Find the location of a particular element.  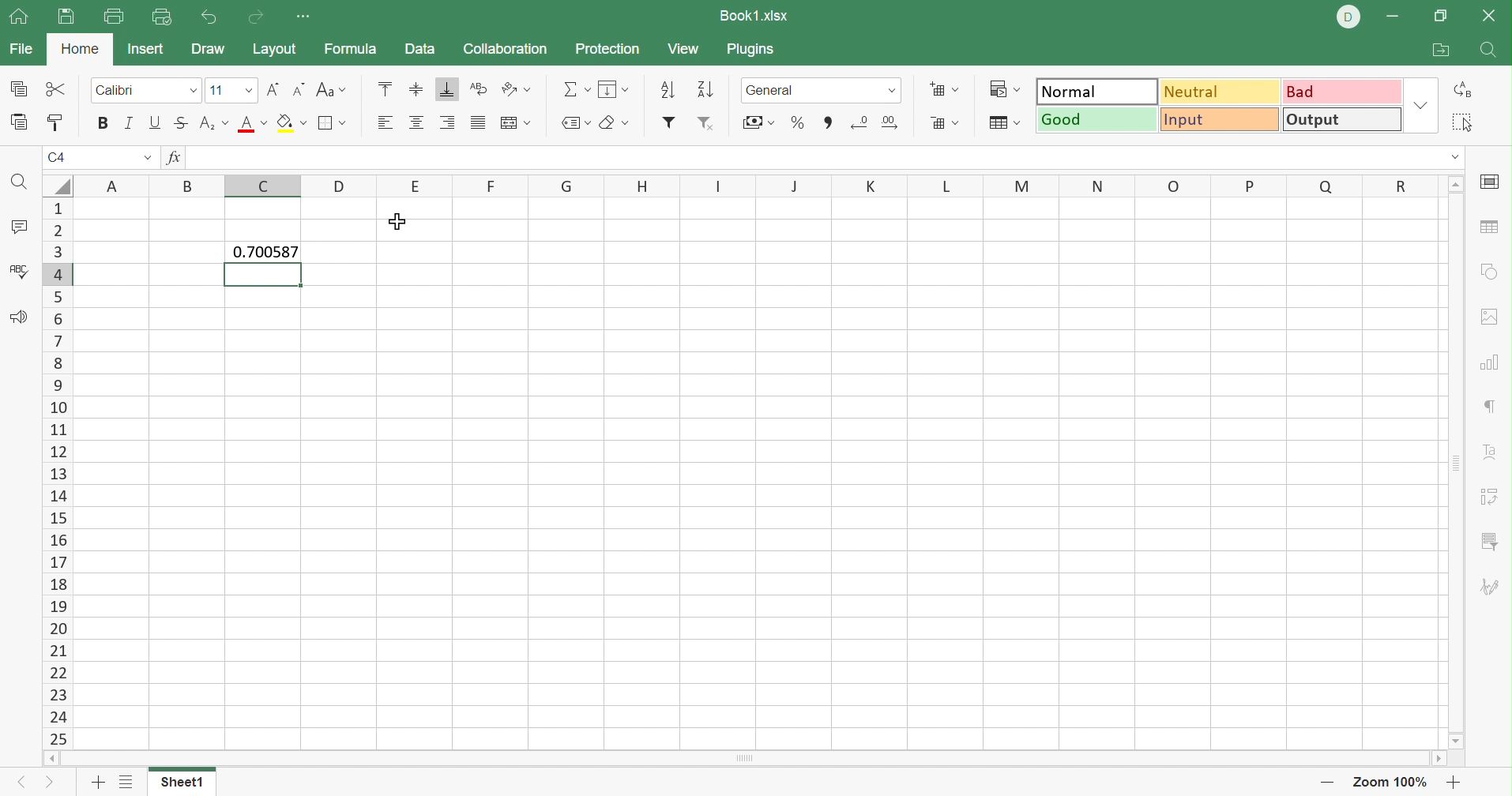

Next is located at coordinates (47, 783).